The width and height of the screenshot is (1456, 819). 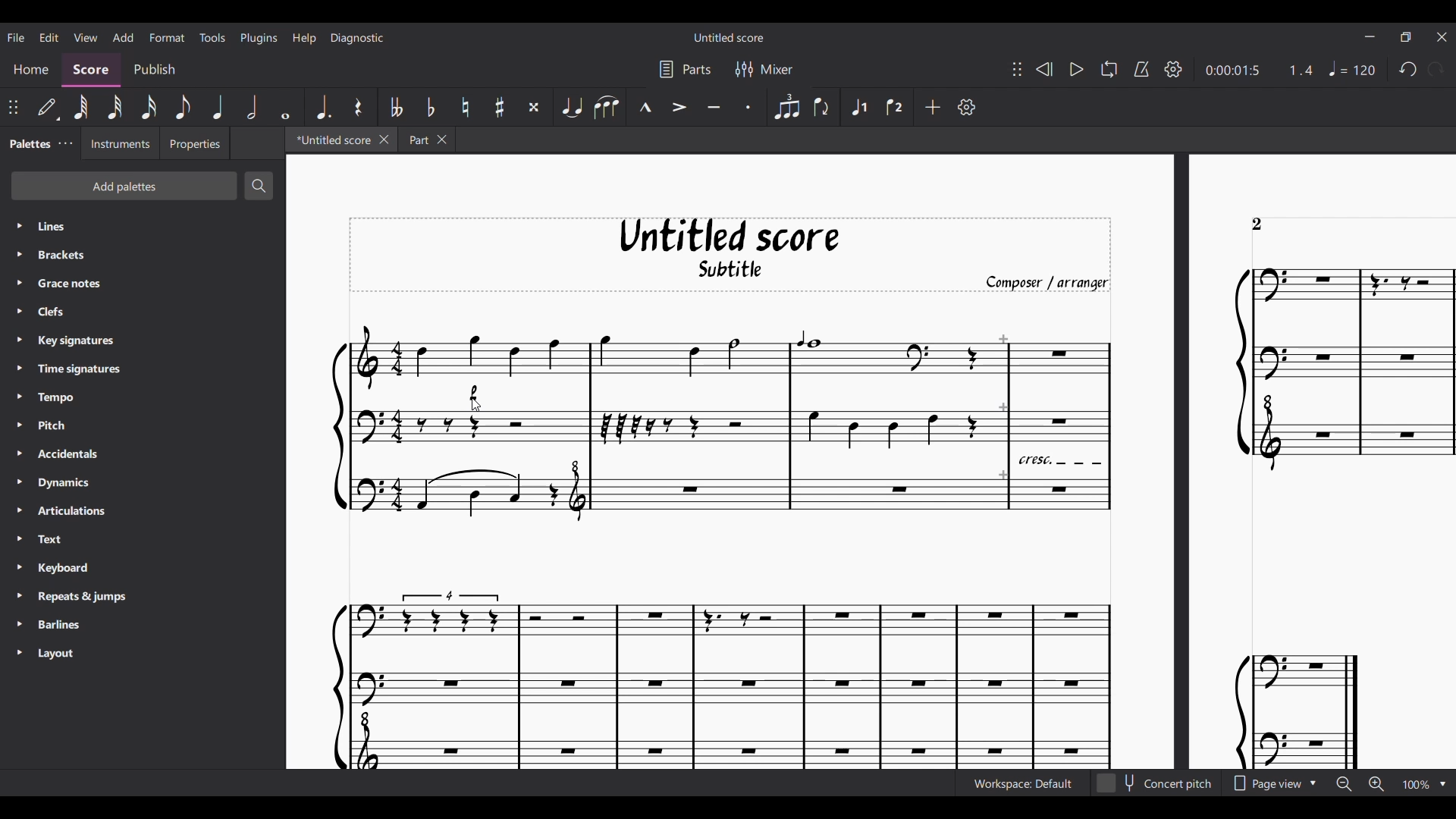 What do you see at coordinates (384, 140) in the screenshot?
I see `Close current tab` at bounding box center [384, 140].